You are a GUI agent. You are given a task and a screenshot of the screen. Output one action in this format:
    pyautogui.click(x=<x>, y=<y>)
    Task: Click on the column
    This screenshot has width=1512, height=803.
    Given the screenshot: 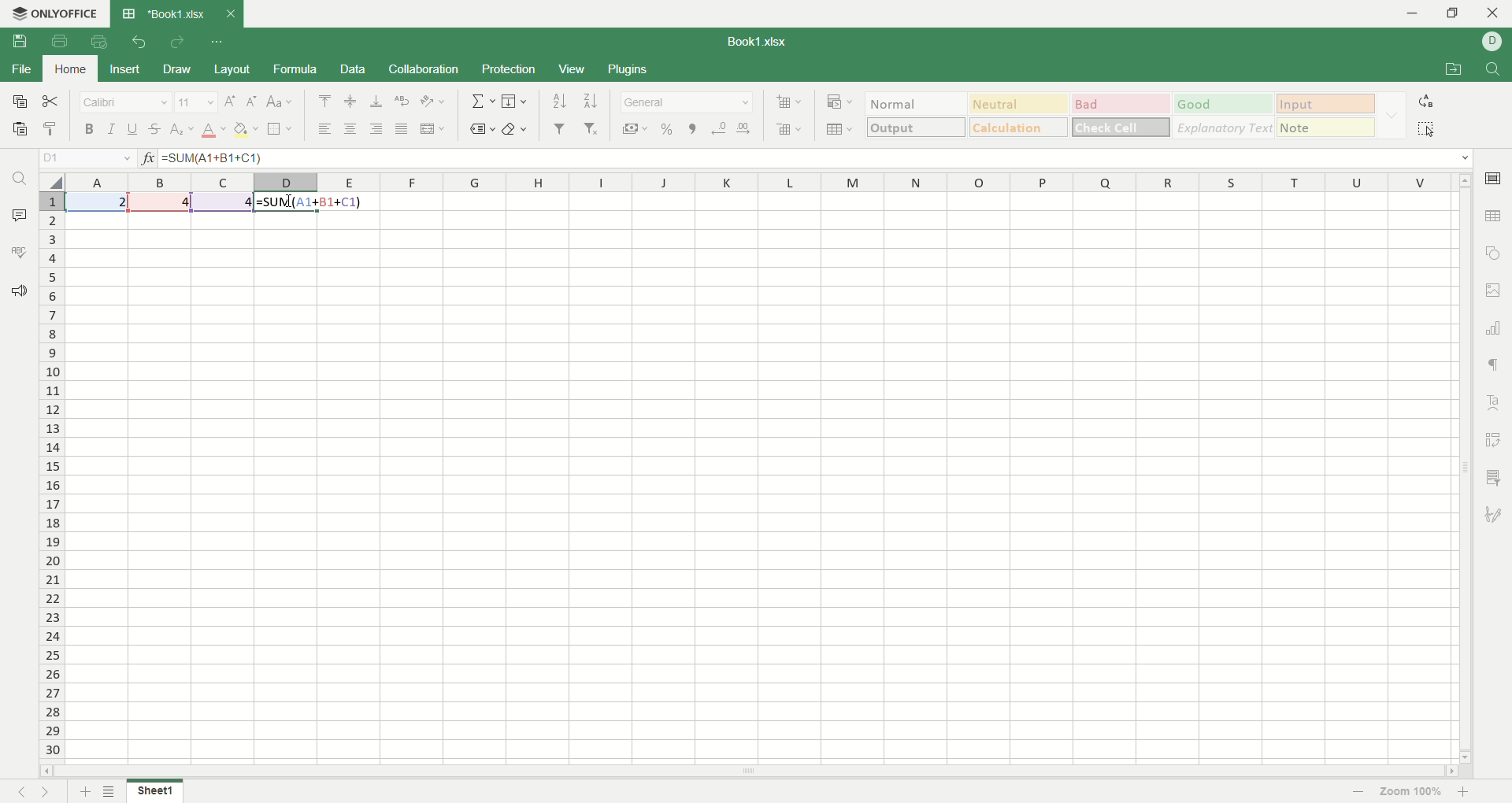 What is the action you would take?
    pyautogui.click(x=763, y=182)
    